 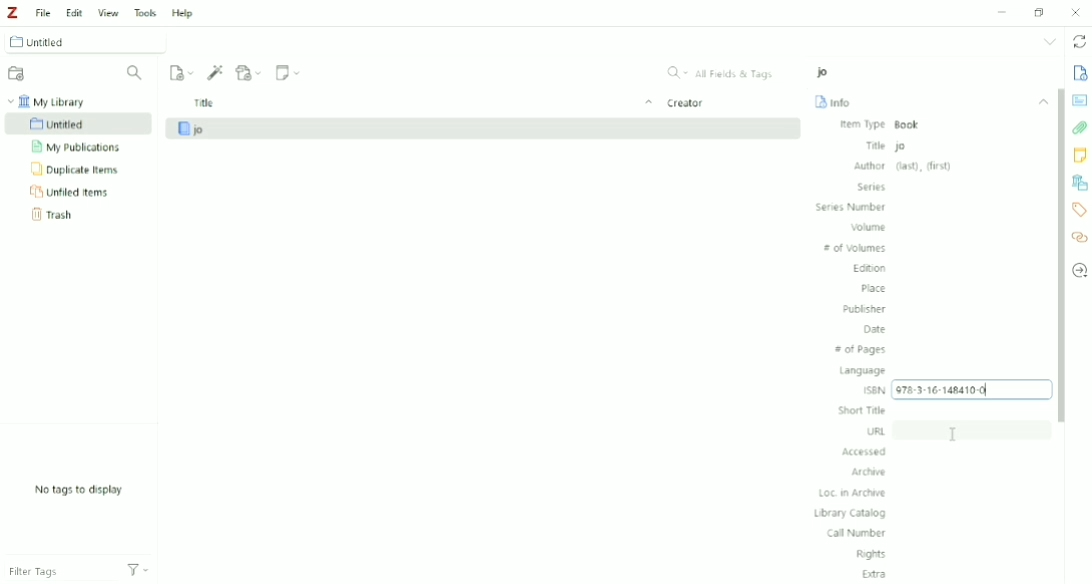 I want to click on Language, so click(x=863, y=371).